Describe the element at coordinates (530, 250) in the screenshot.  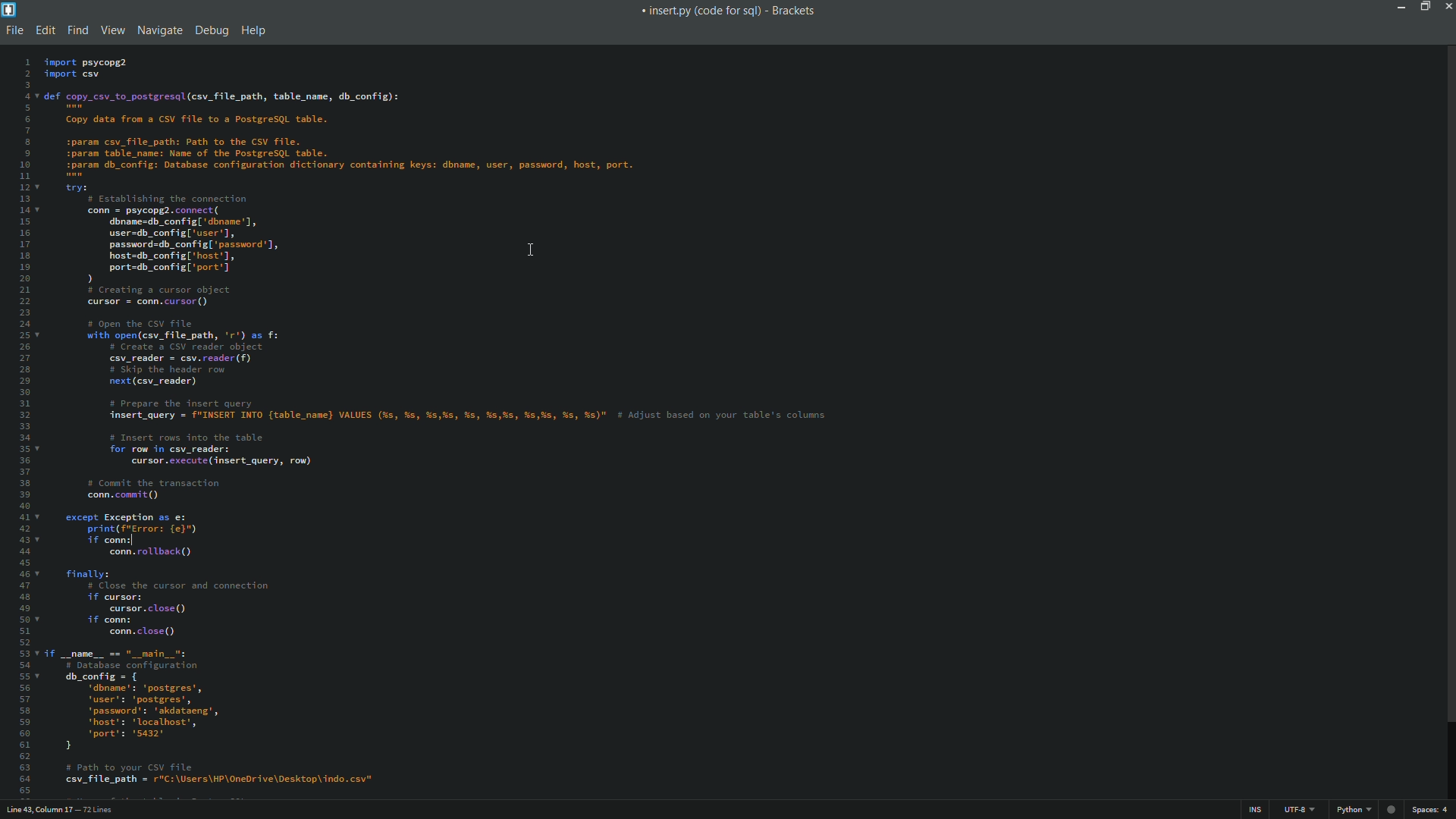
I see `cursor` at that location.